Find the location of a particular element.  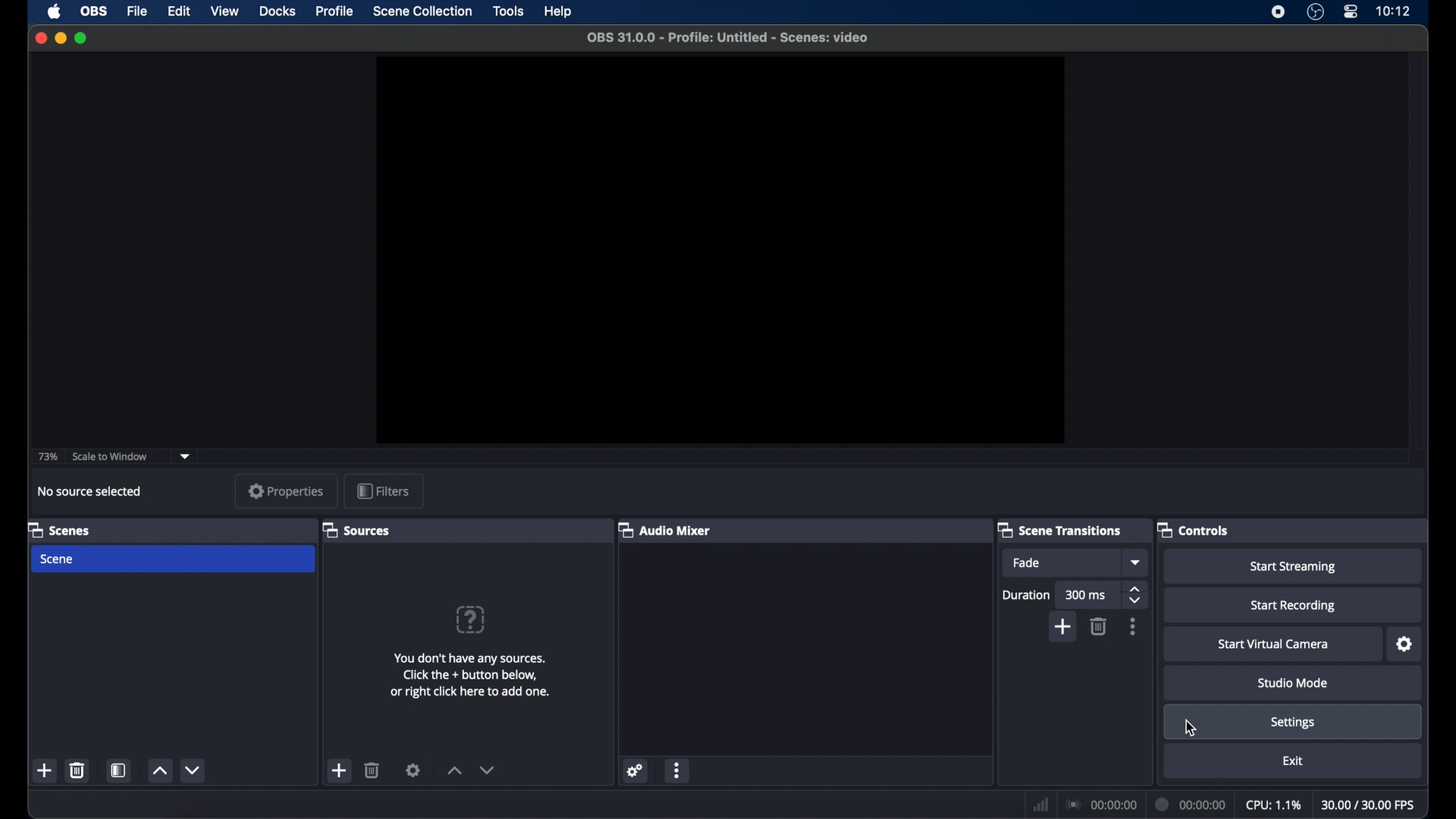

add is located at coordinates (1064, 626).